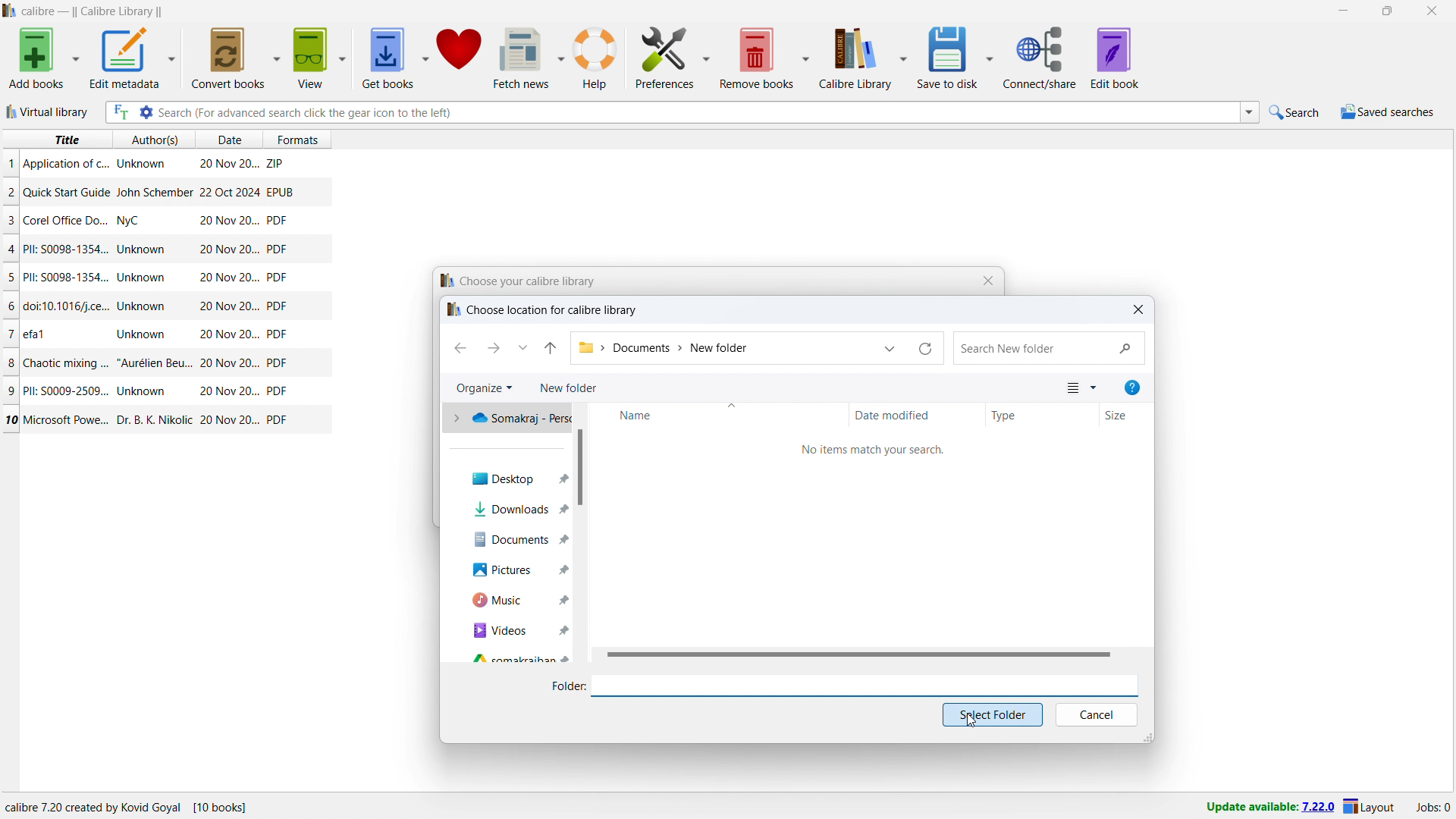  Describe the element at coordinates (1040, 58) in the screenshot. I see `connect/share` at that location.